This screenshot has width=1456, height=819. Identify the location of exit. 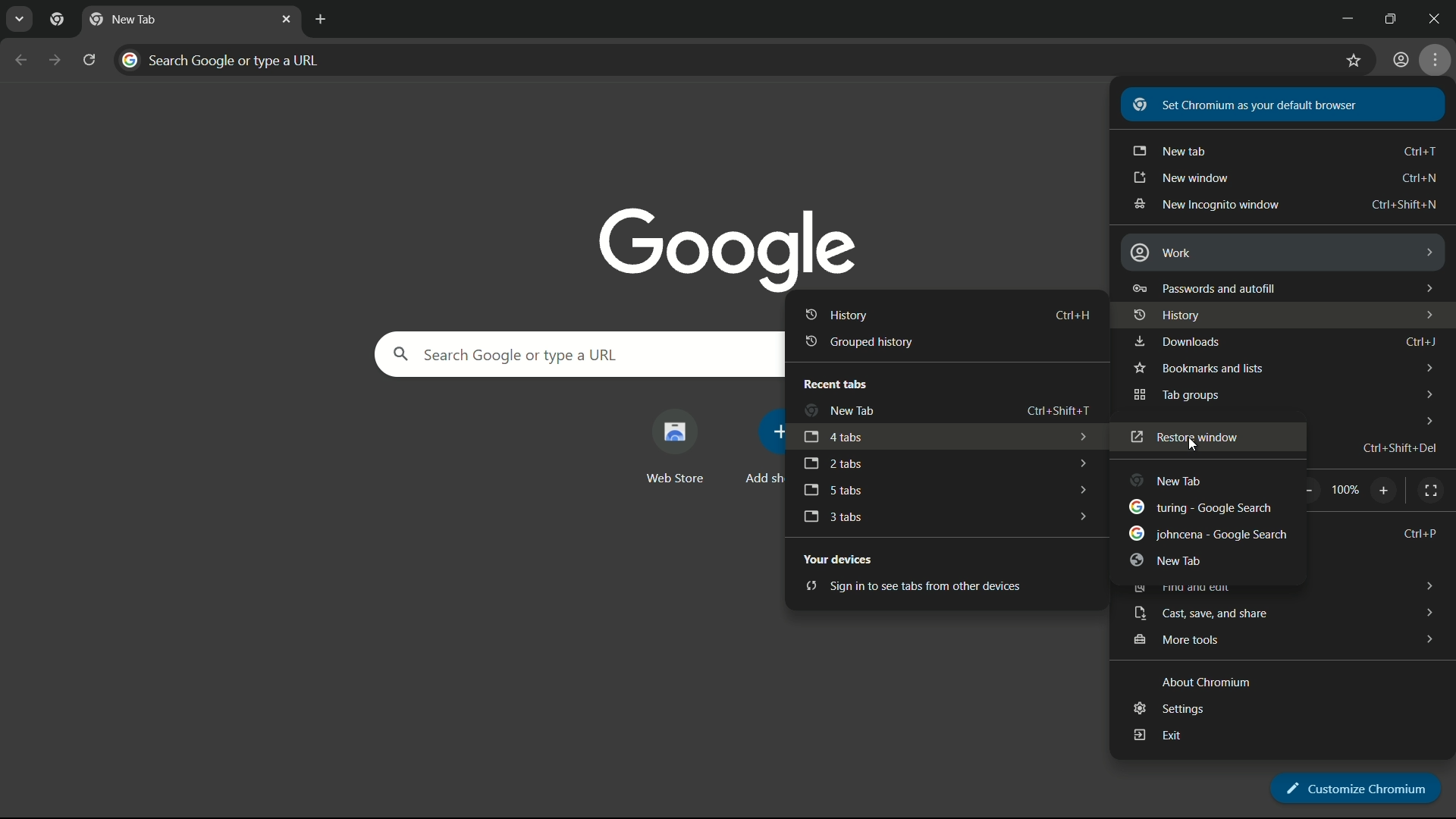
(1158, 736).